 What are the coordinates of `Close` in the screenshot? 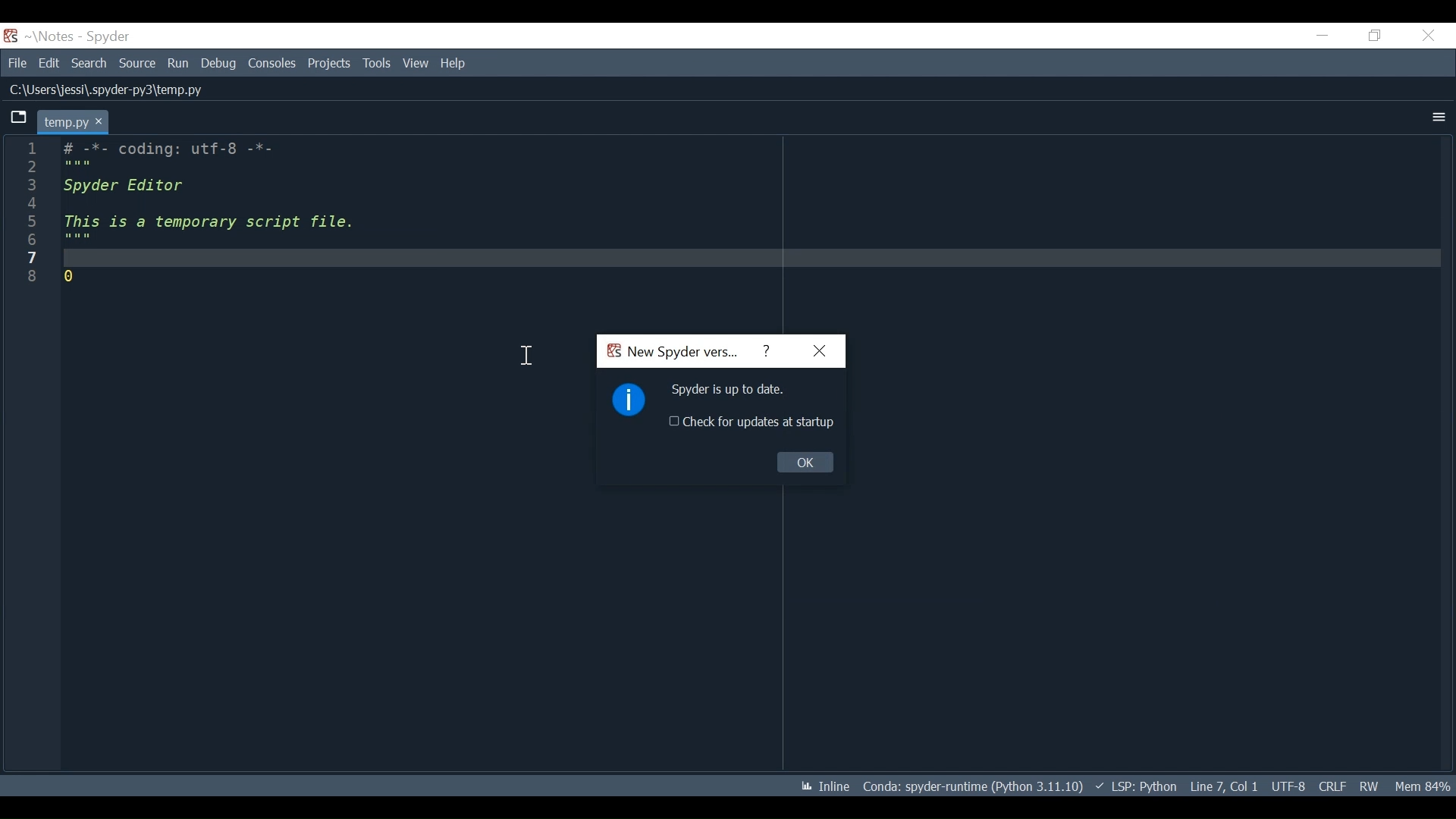 It's located at (820, 351).